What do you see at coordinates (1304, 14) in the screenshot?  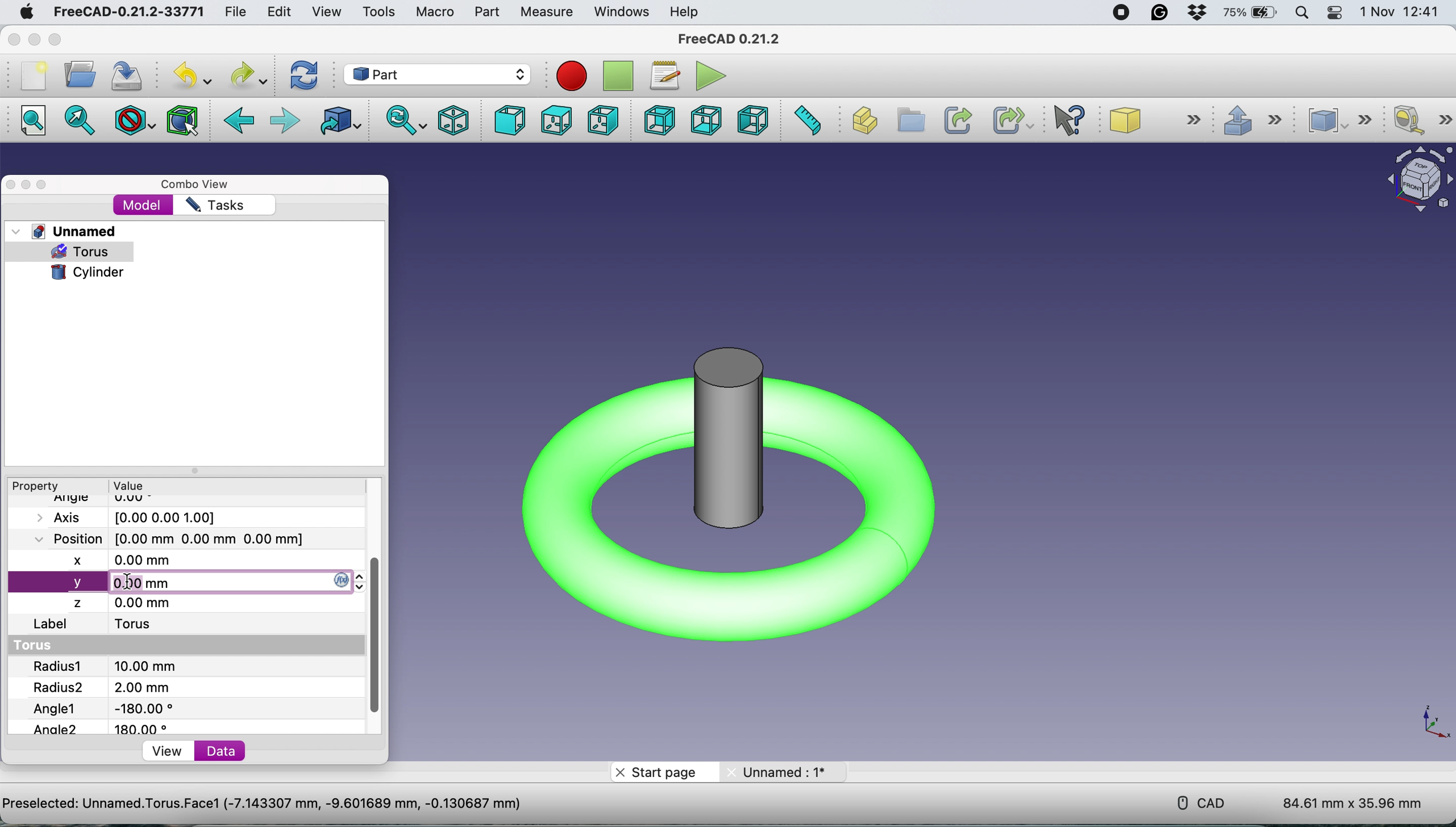 I see `spotlight search` at bounding box center [1304, 14].